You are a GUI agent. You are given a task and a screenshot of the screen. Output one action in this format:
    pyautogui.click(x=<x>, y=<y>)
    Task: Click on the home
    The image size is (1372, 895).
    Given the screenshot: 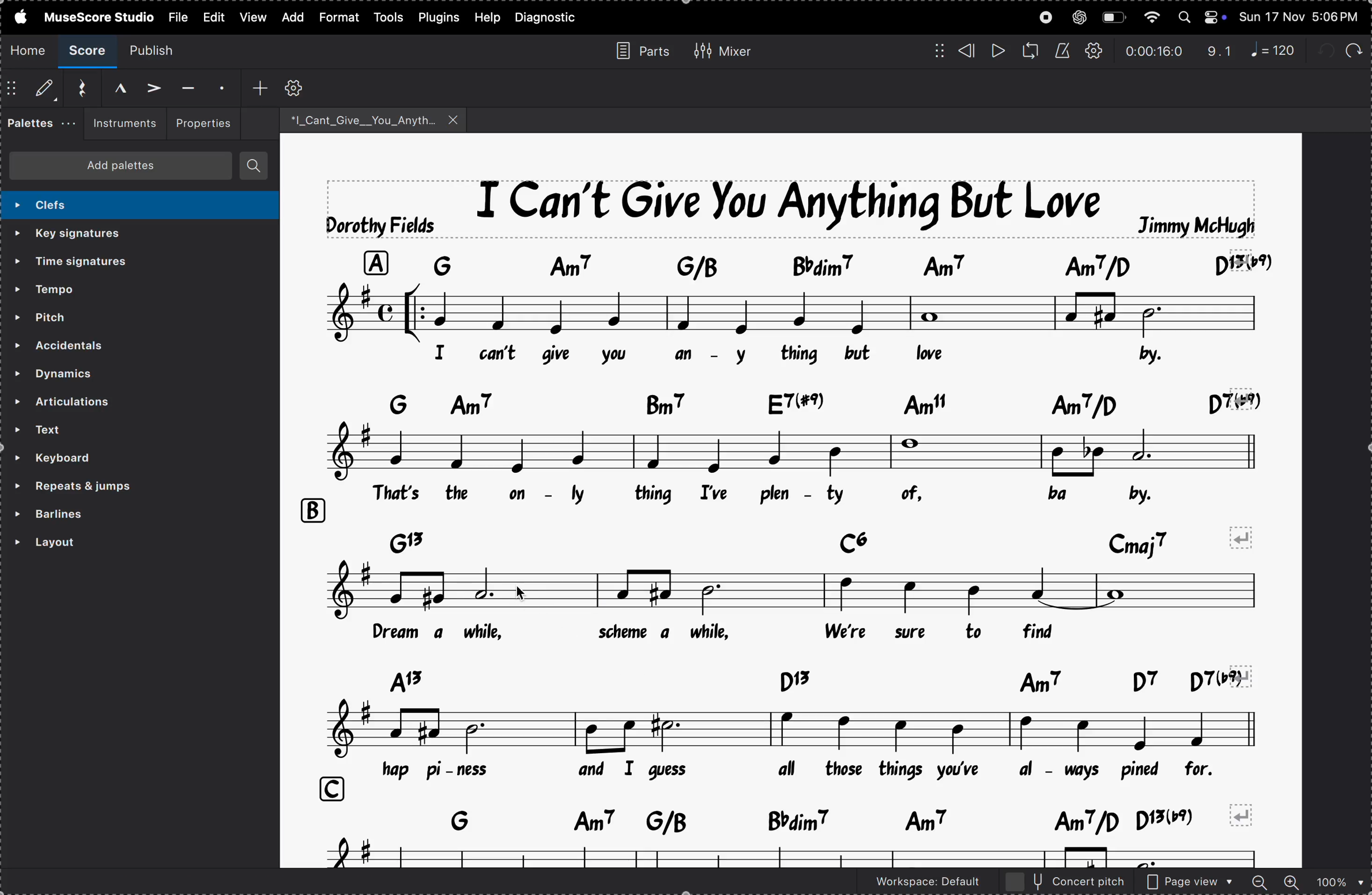 What is the action you would take?
    pyautogui.click(x=29, y=50)
    